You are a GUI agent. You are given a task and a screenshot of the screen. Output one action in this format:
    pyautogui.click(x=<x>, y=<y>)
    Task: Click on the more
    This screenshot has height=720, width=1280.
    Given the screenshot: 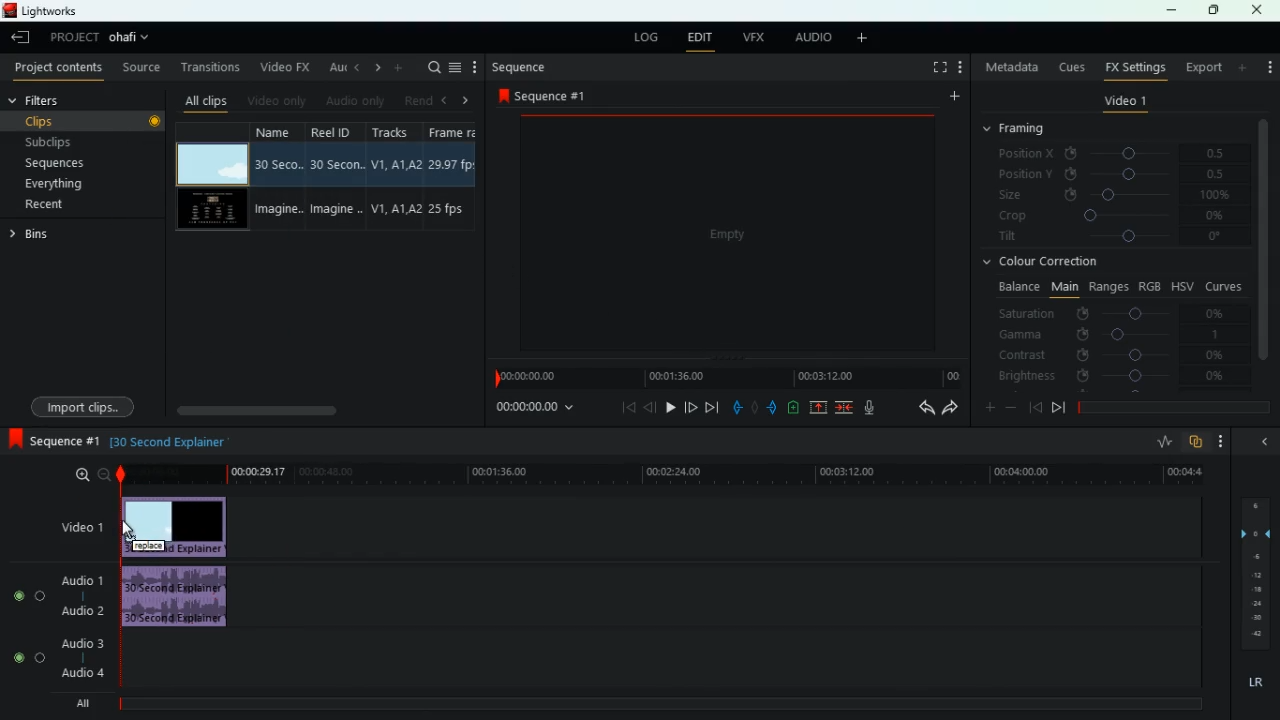 What is the action you would take?
    pyautogui.click(x=1226, y=441)
    